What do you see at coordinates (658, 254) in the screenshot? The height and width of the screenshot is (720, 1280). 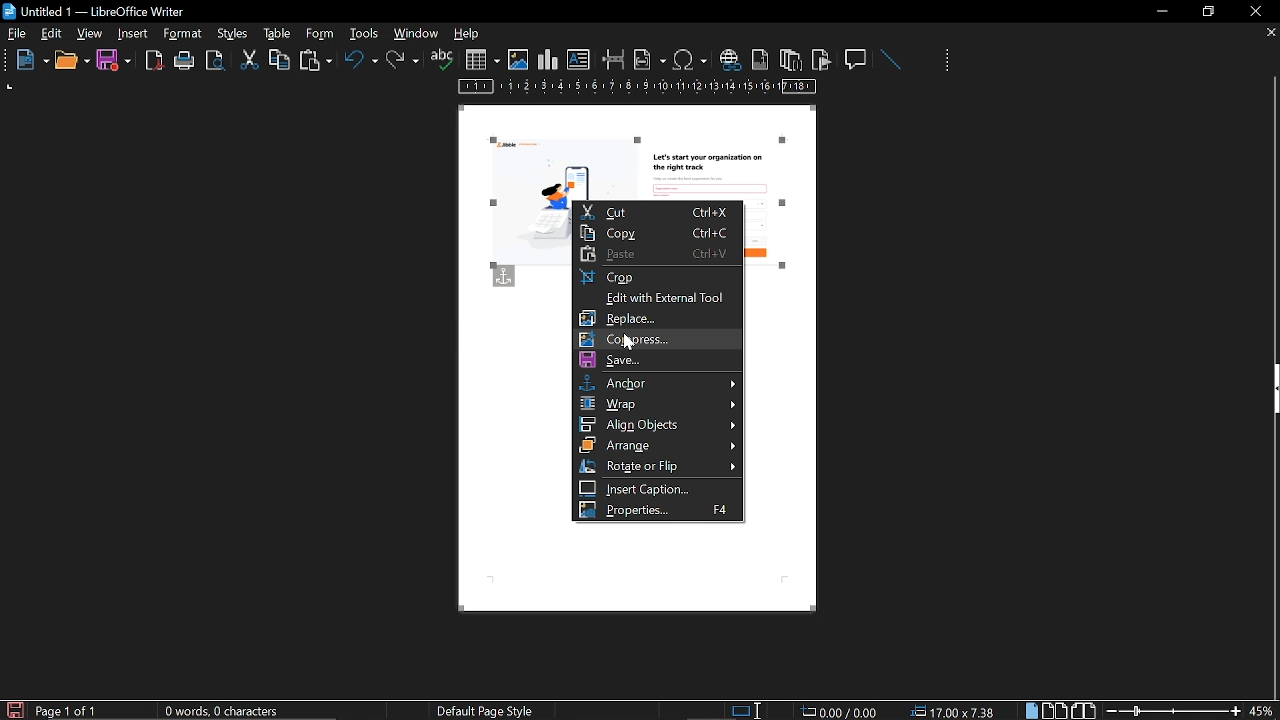 I see `paste` at bounding box center [658, 254].